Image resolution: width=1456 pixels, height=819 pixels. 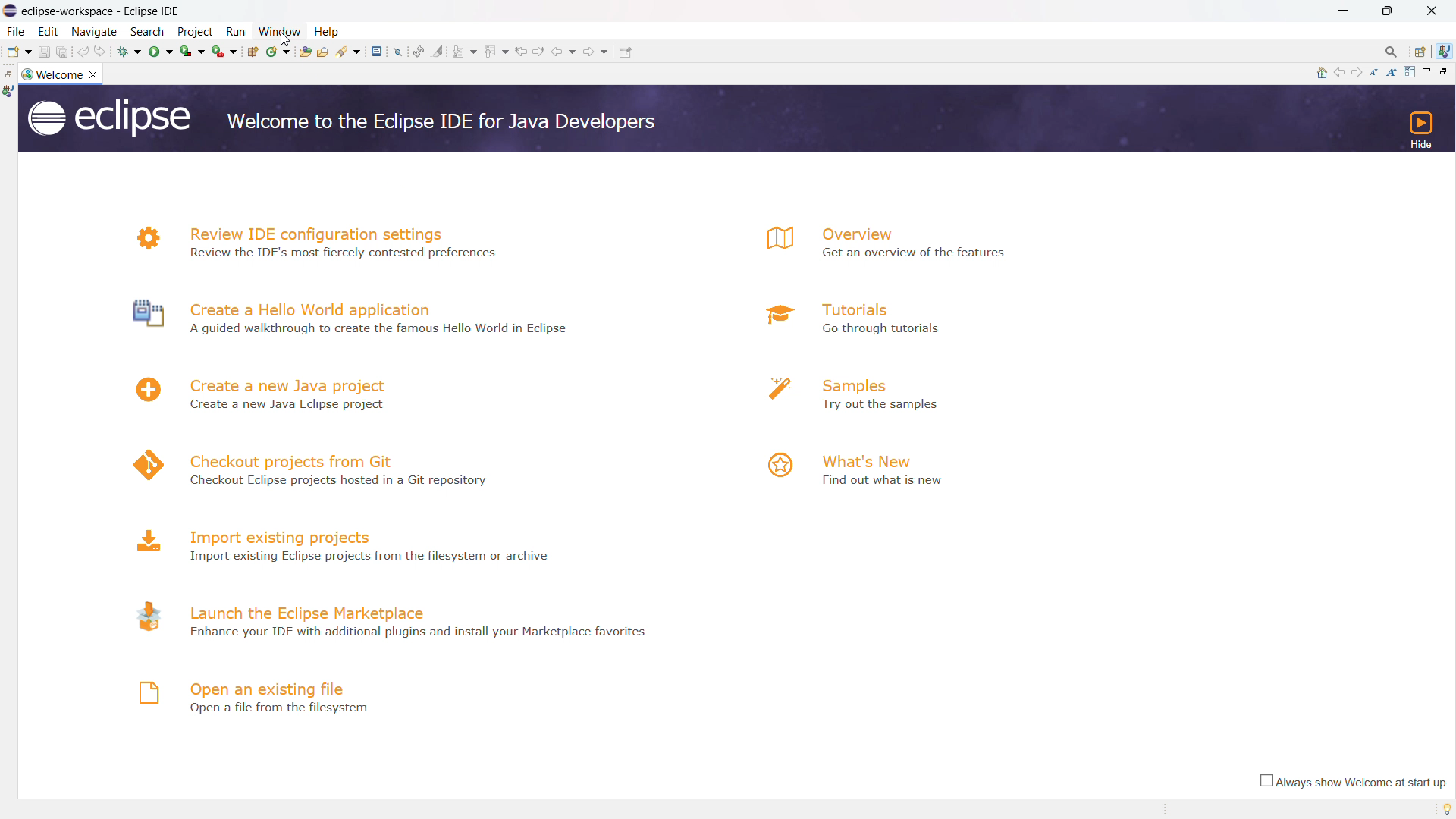 What do you see at coordinates (344, 480) in the screenshot?
I see `4 Checkout Eclipse projects hosted in a Git repository` at bounding box center [344, 480].